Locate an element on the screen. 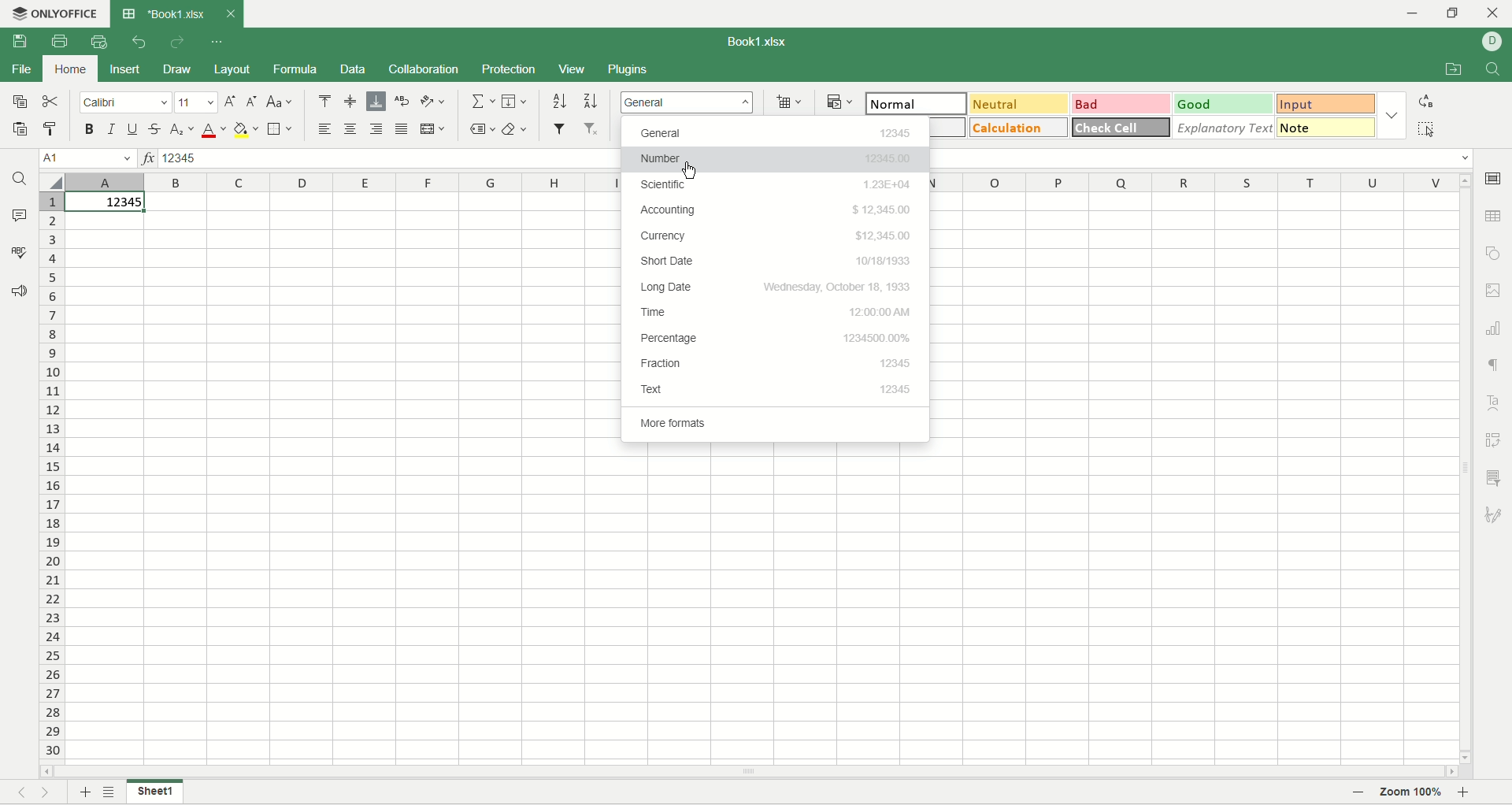 This screenshot has height=805, width=1512. sort descending is located at coordinates (591, 102).